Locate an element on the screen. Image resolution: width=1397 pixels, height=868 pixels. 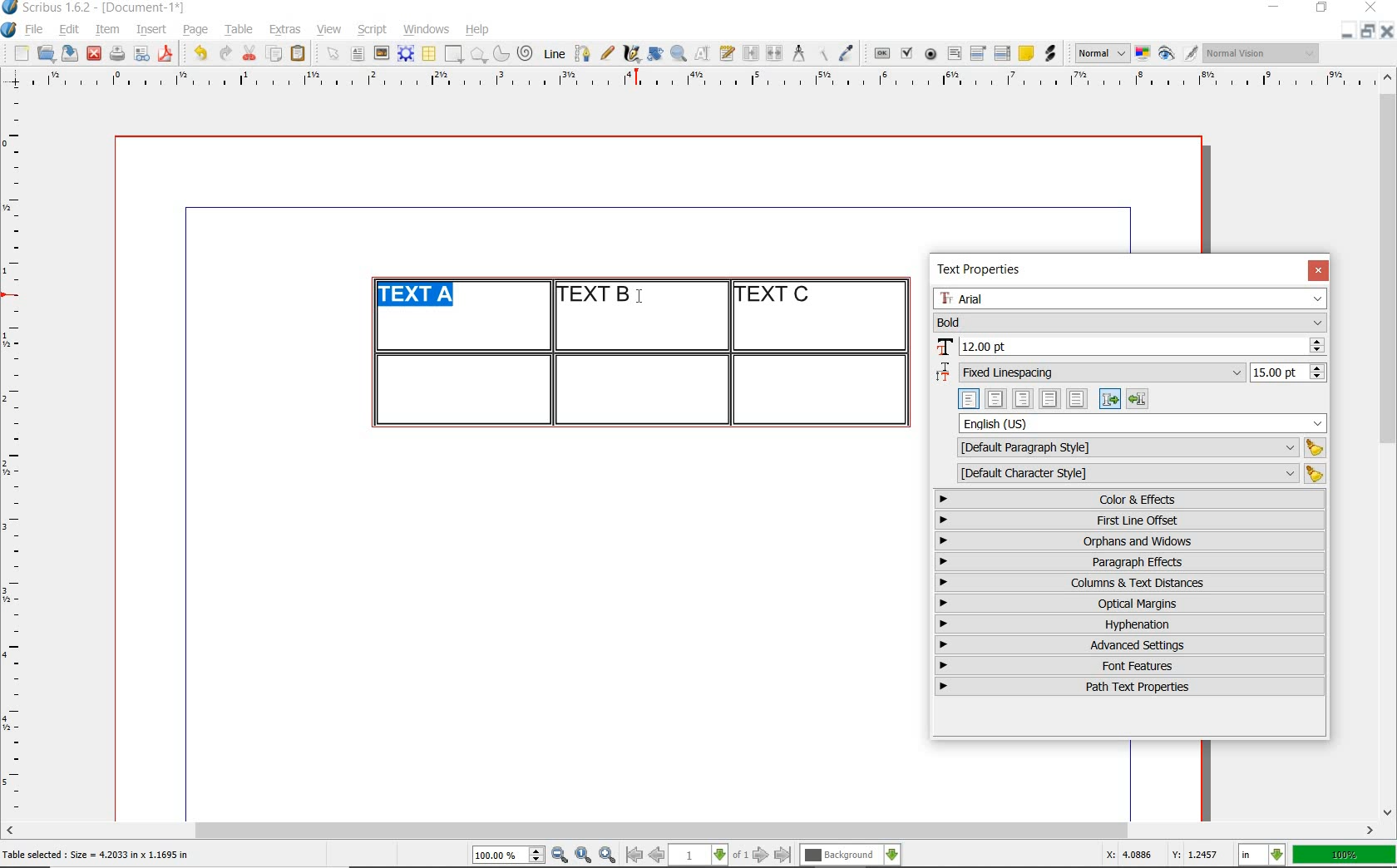
optical margins is located at coordinates (1131, 604).